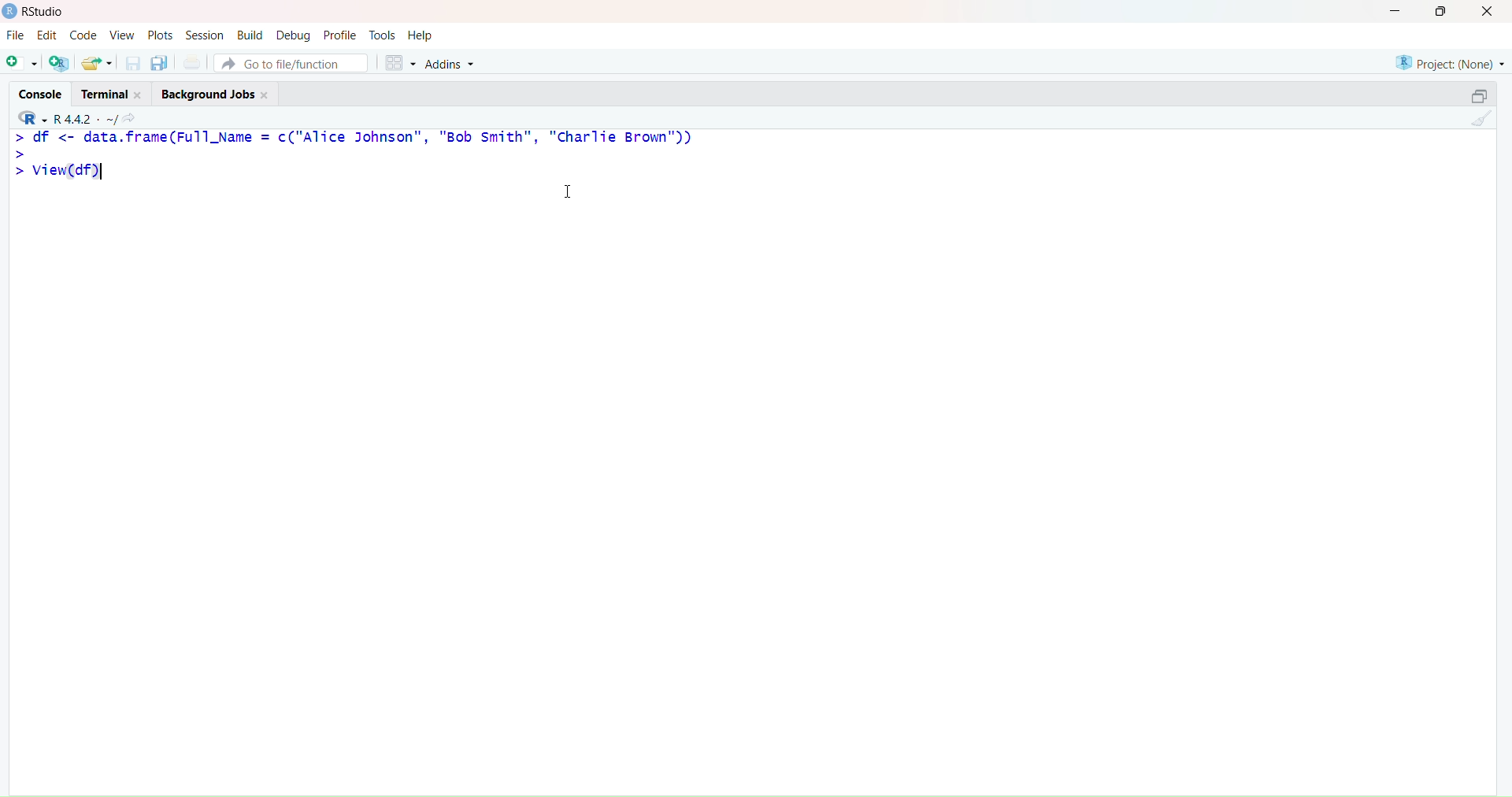 This screenshot has width=1512, height=797. I want to click on Plots, so click(163, 35).